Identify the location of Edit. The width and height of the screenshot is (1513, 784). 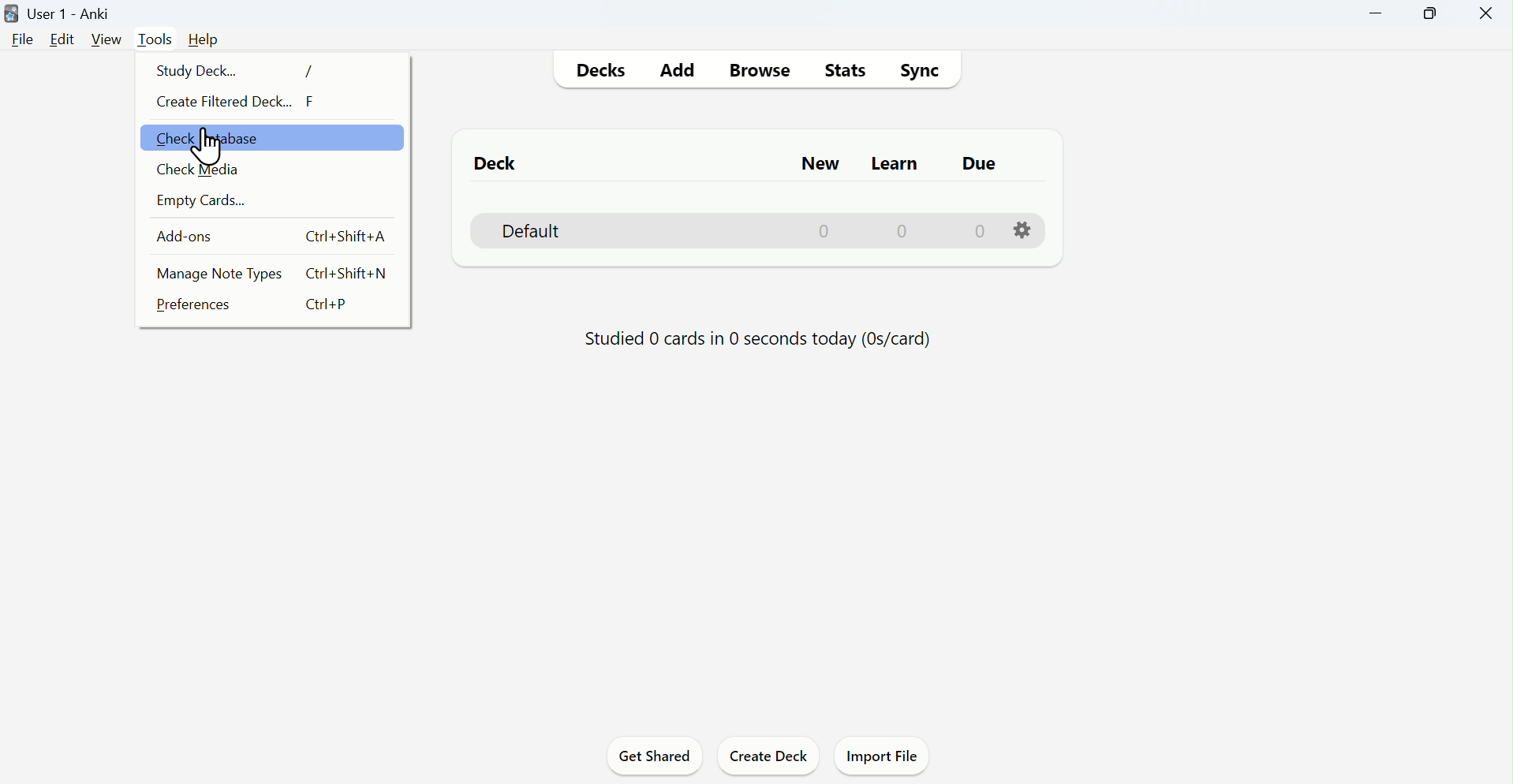
(61, 39).